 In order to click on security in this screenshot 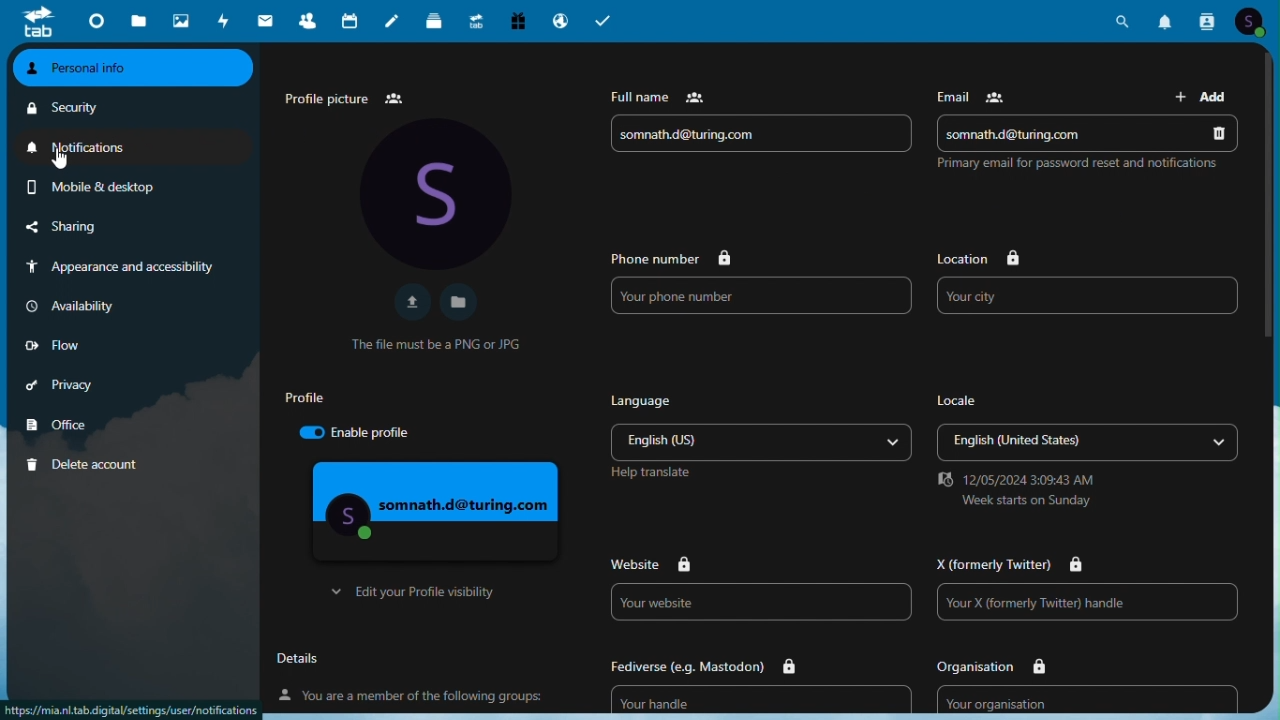, I will do `click(69, 109)`.